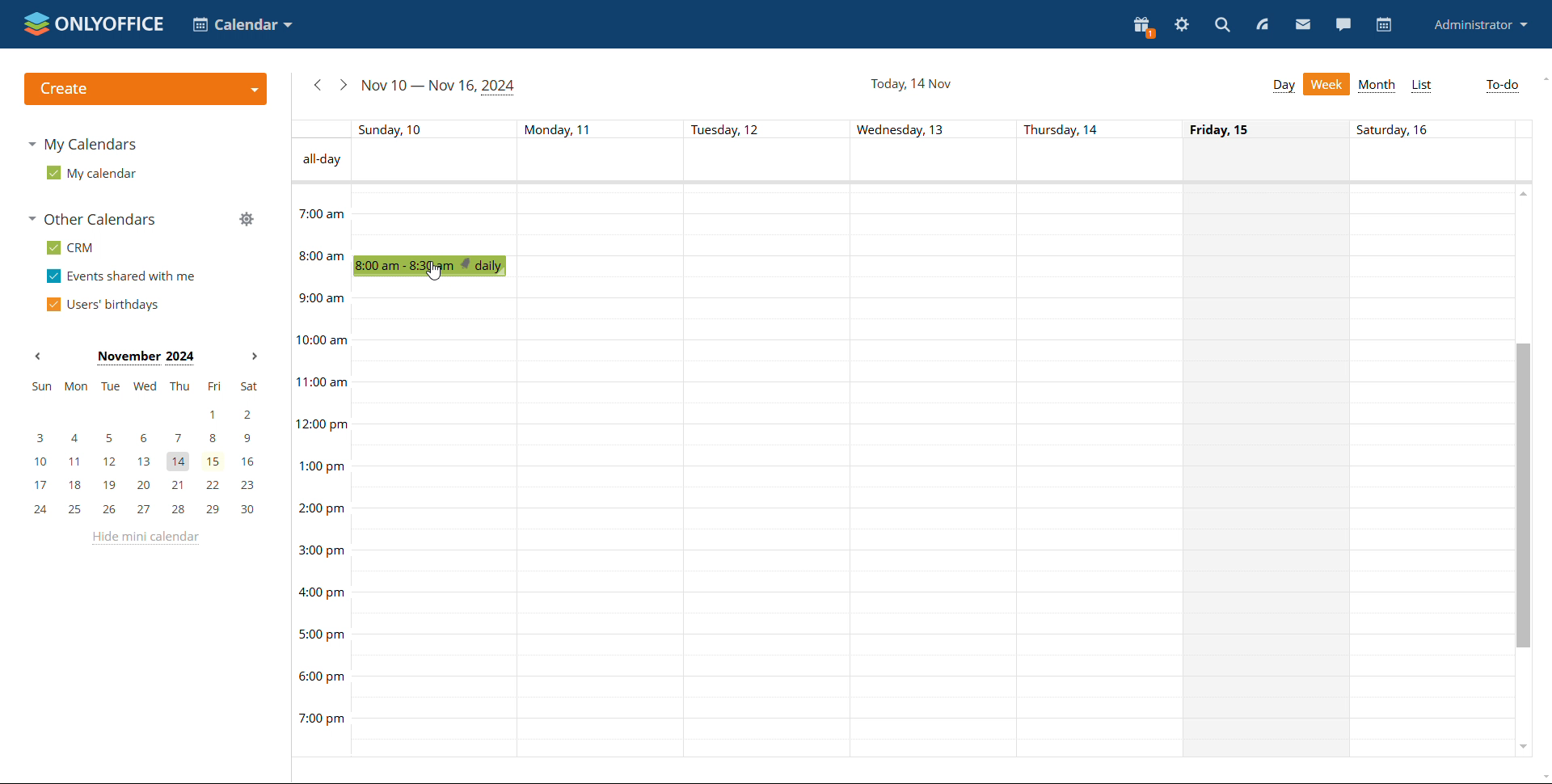  I want to click on previous month, so click(37, 356).